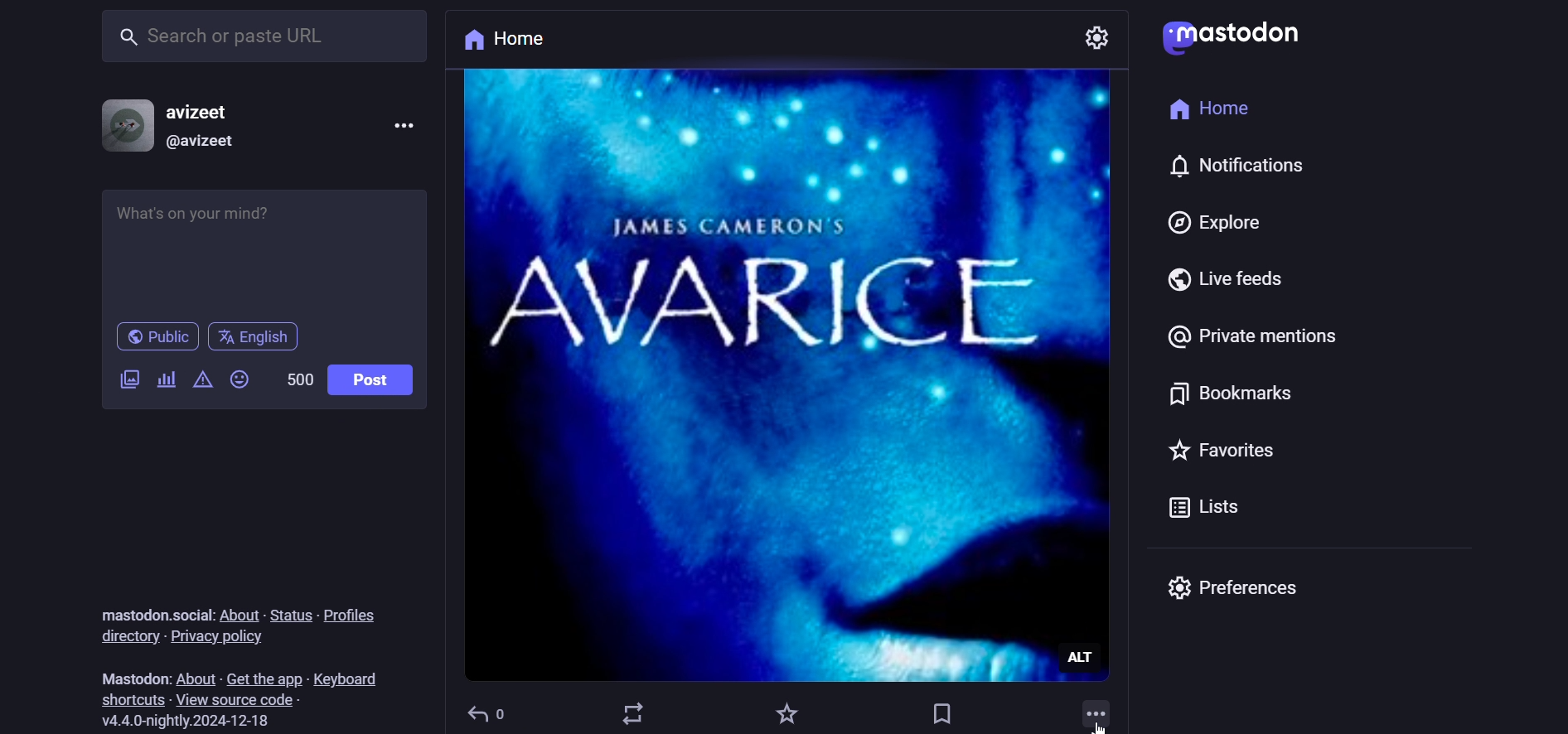 Image resolution: width=1568 pixels, height=734 pixels. I want to click on reply, so click(487, 710).